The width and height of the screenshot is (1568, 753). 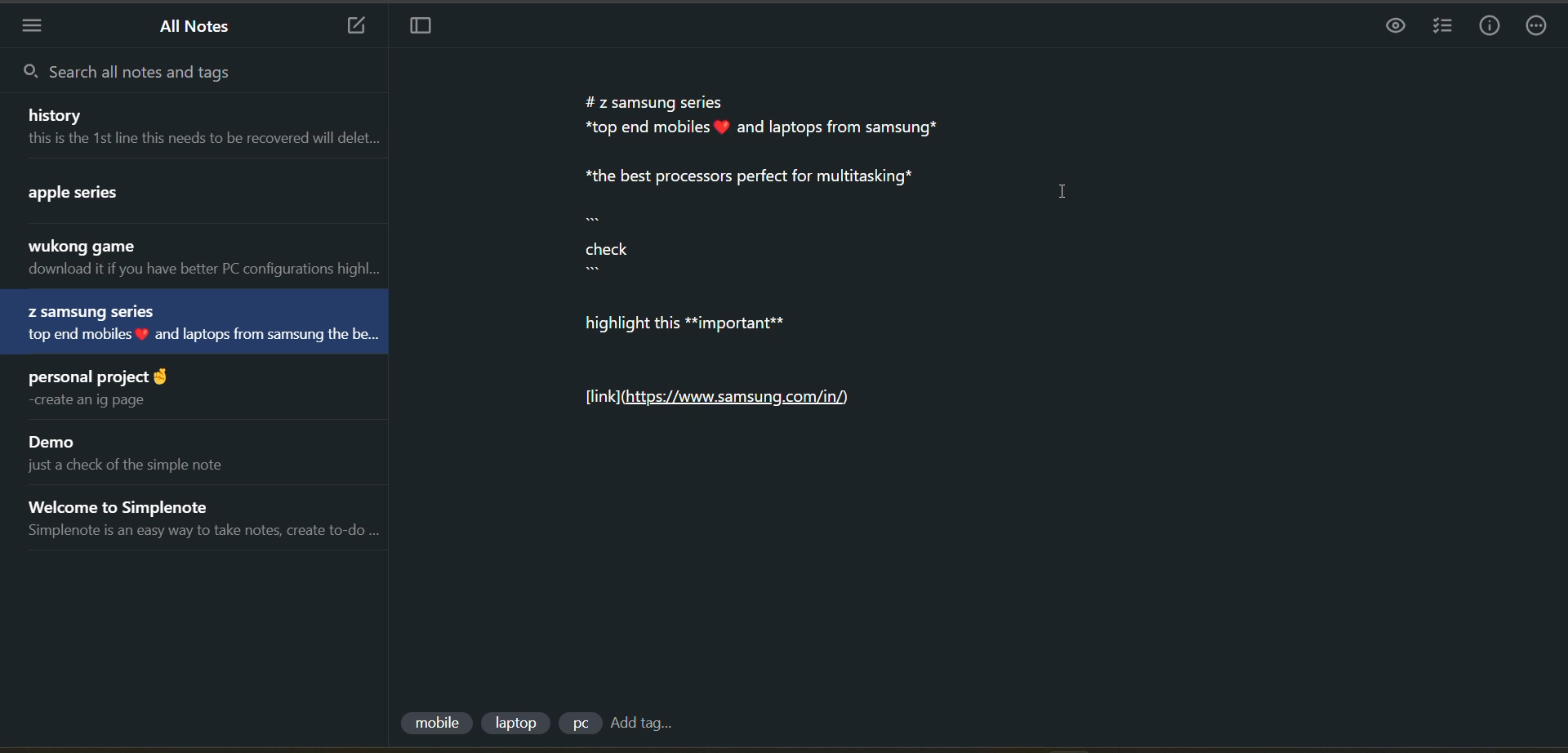 I want to click on search all notes and tags, so click(x=172, y=75).